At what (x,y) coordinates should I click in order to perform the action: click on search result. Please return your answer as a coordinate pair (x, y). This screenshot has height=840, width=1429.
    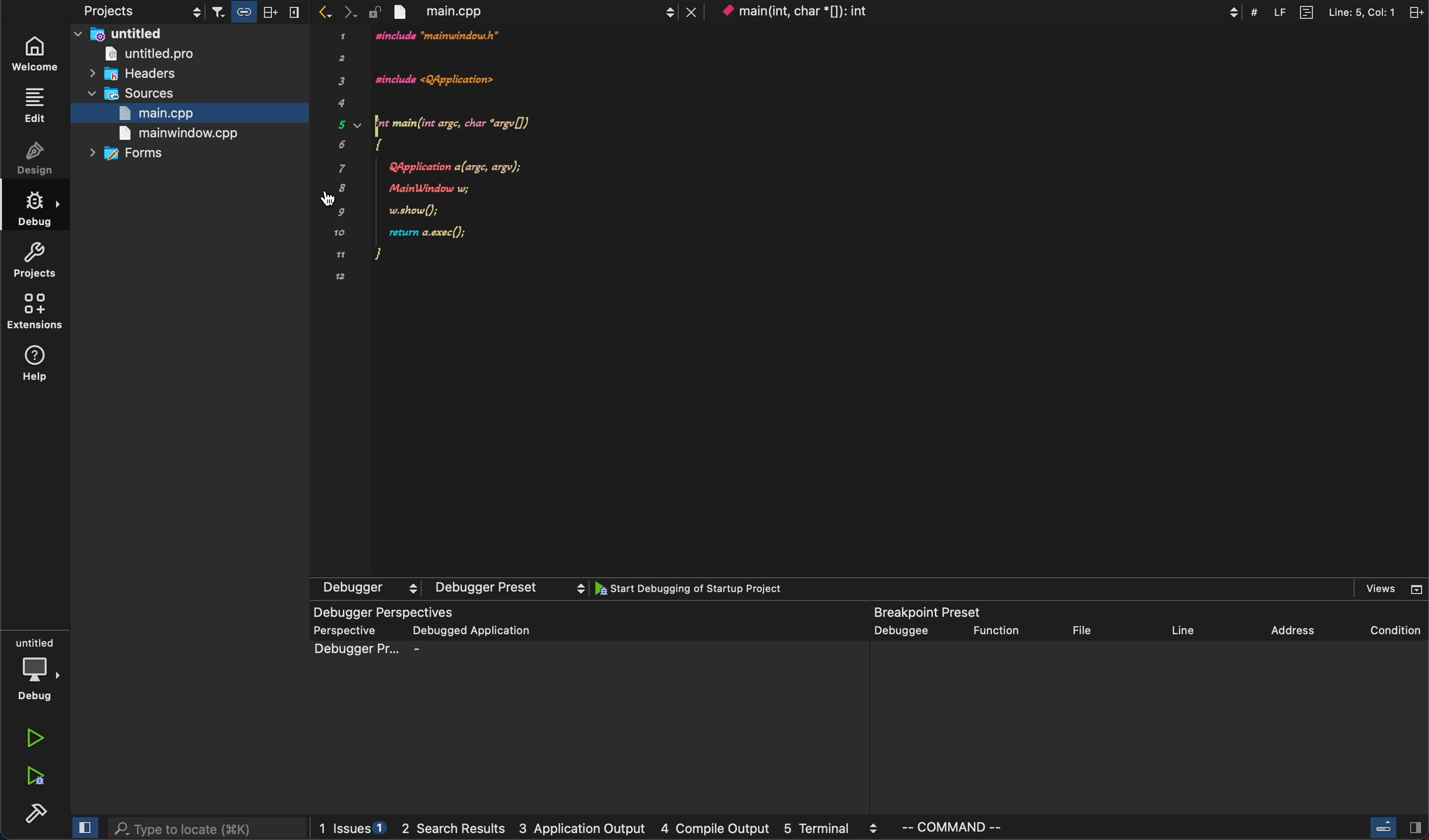
    Looking at the image, I should click on (456, 831).